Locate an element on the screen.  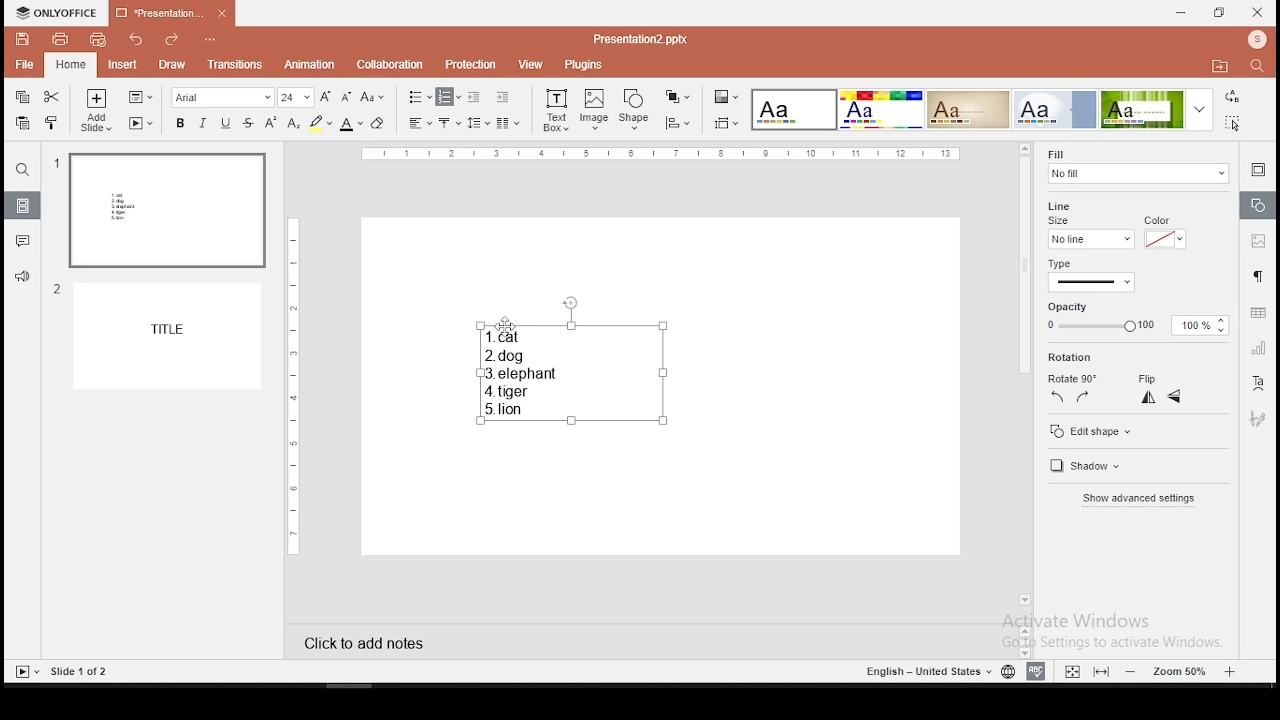
horizontal align is located at coordinates (419, 124).